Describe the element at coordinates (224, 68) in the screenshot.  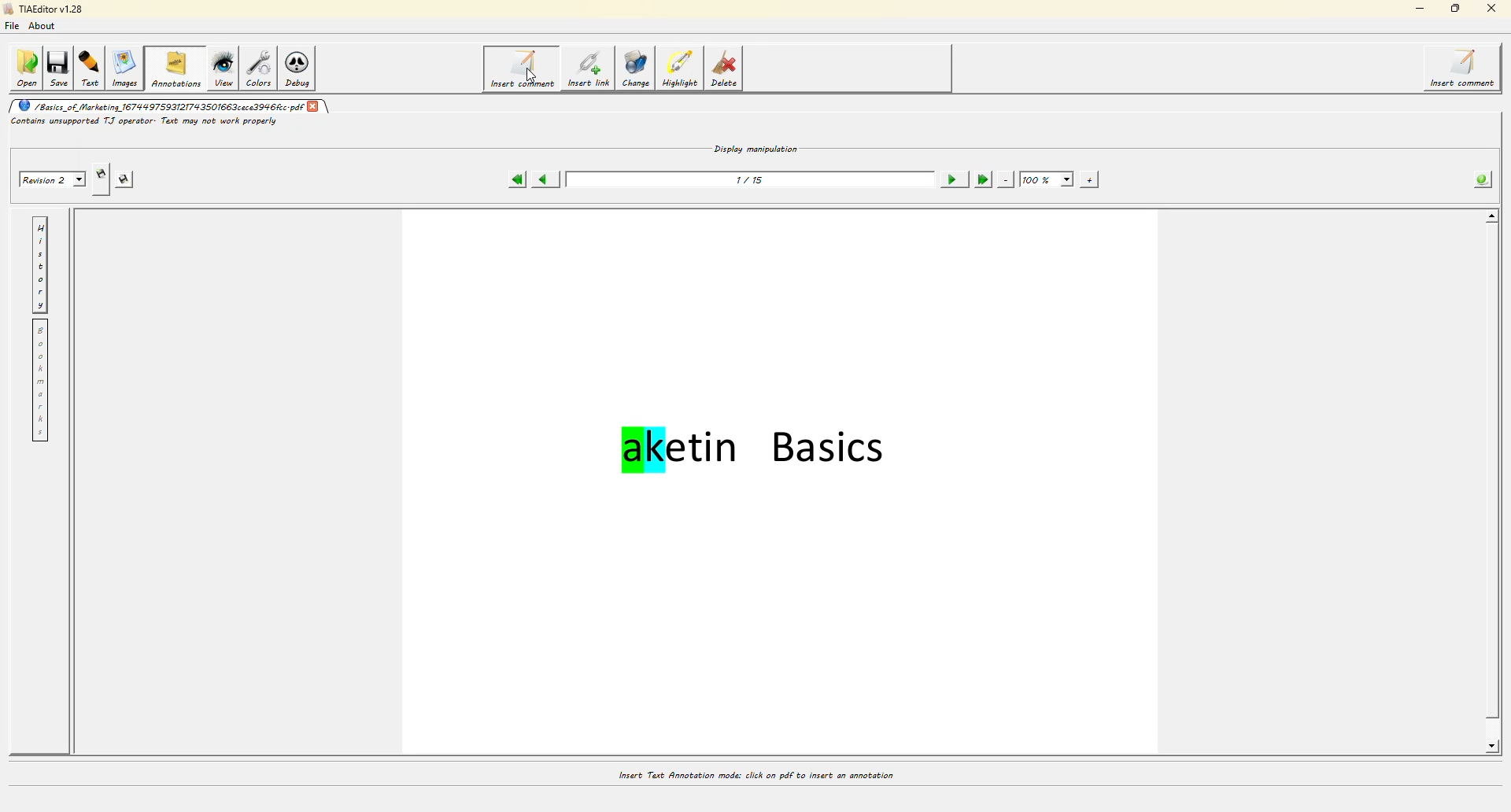
I see `view` at that location.